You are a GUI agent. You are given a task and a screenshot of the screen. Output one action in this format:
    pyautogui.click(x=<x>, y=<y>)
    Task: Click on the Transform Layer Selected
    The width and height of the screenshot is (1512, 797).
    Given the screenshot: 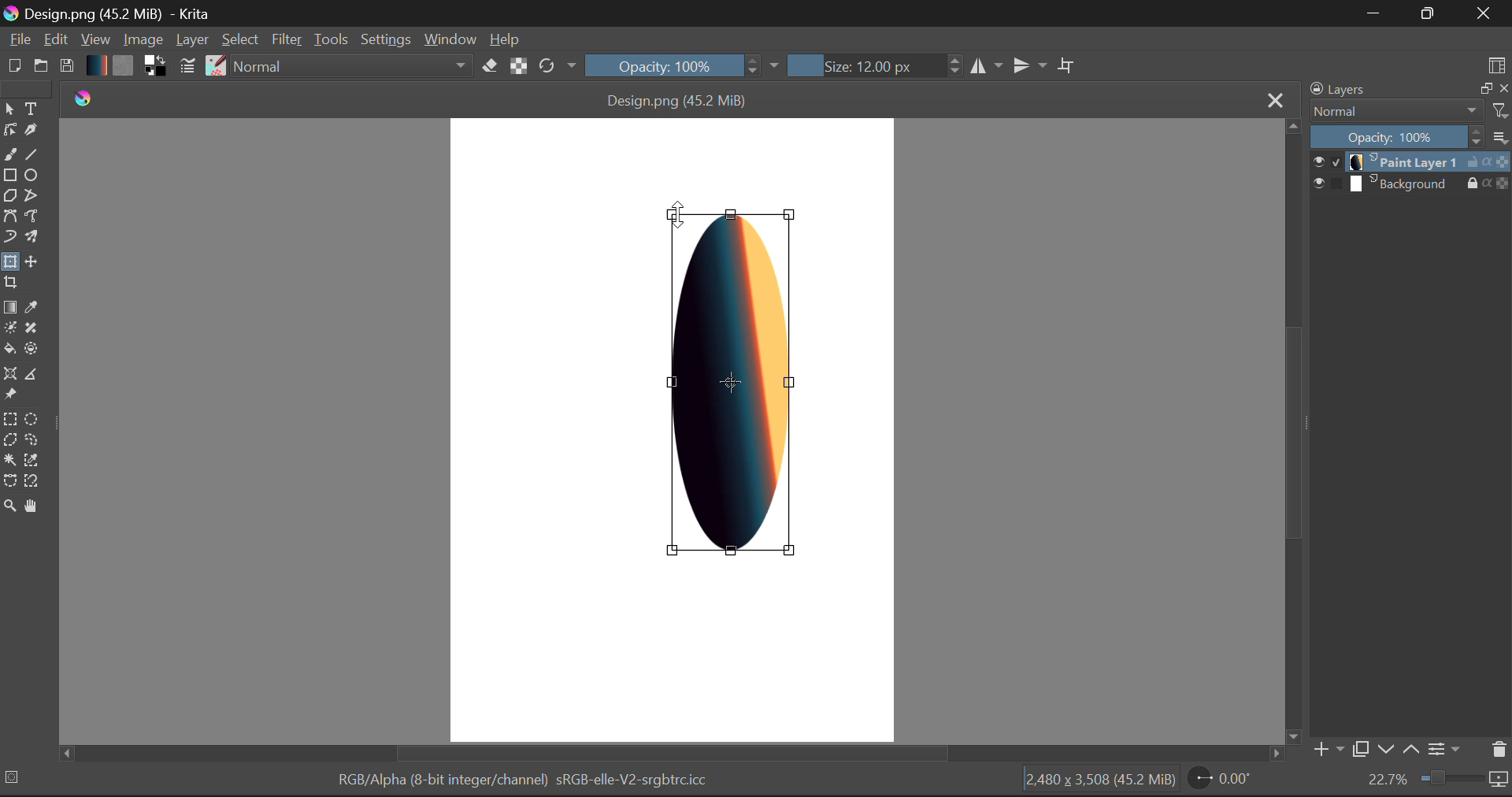 What is the action you would take?
    pyautogui.click(x=9, y=263)
    